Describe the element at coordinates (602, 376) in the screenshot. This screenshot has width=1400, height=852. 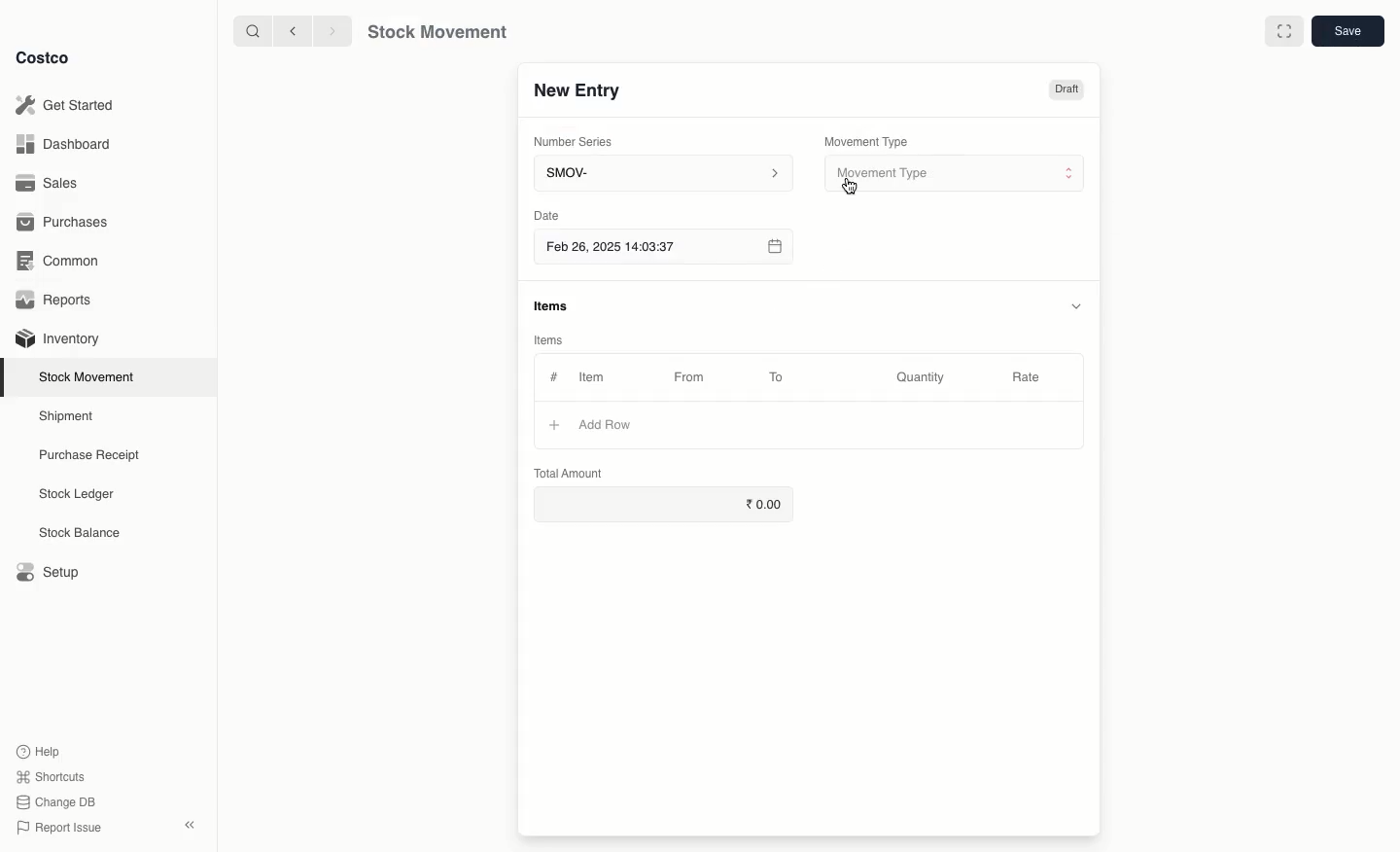
I see `Item` at that location.